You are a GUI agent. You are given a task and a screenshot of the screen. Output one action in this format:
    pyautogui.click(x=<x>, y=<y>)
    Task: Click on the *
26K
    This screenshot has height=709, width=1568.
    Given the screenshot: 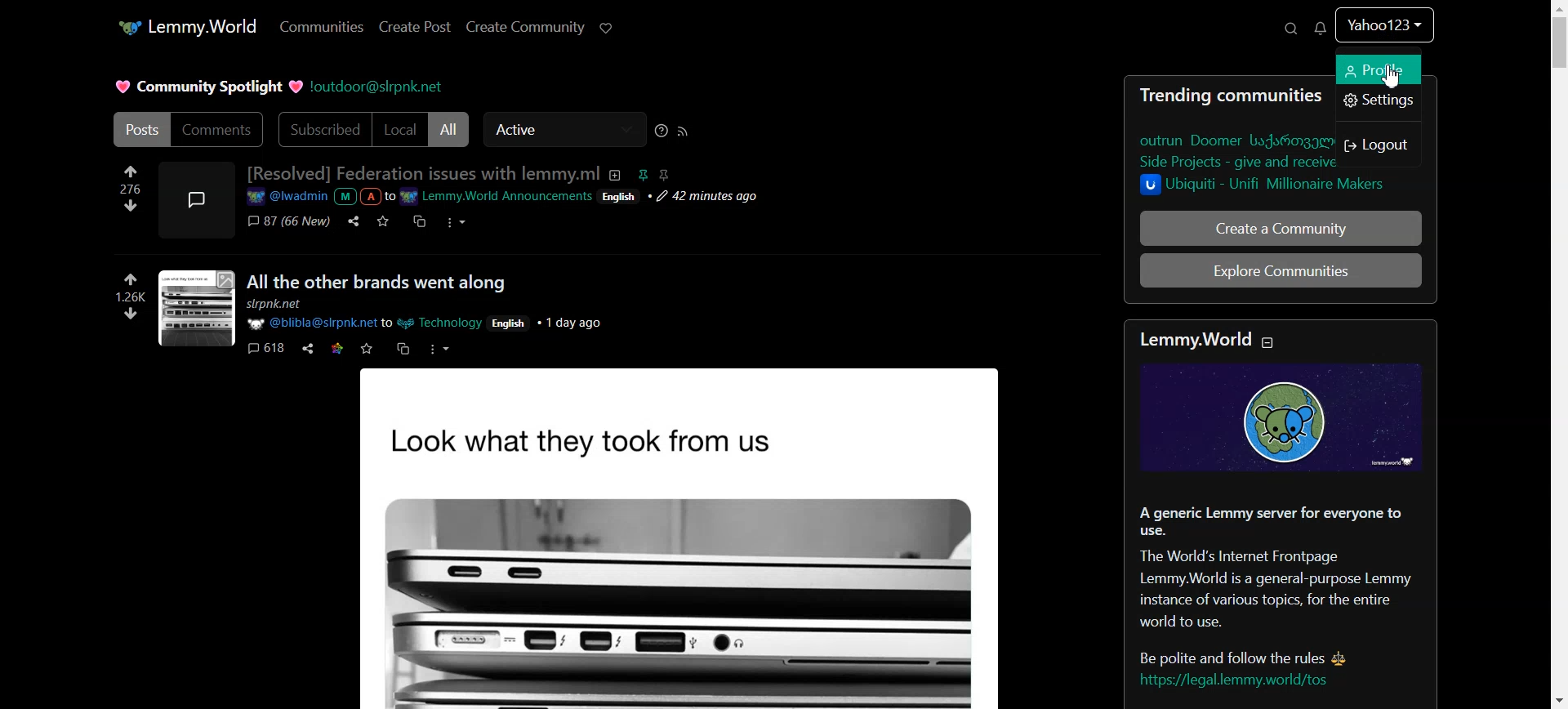 What is the action you would take?
    pyautogui.click(x=137, y=288)
    